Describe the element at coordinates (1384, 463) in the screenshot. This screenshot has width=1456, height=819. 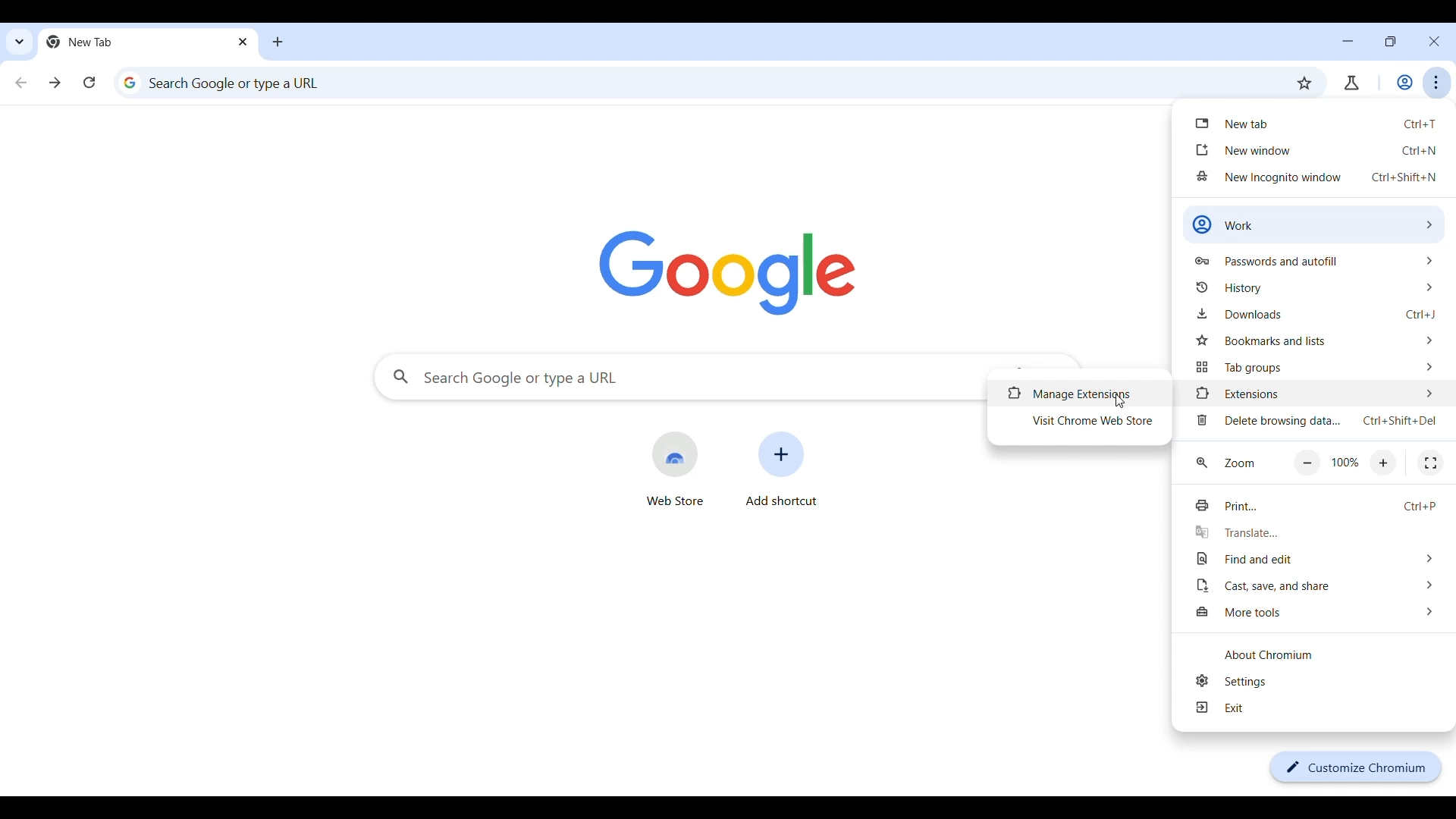
I see `Zoom in` at that location.